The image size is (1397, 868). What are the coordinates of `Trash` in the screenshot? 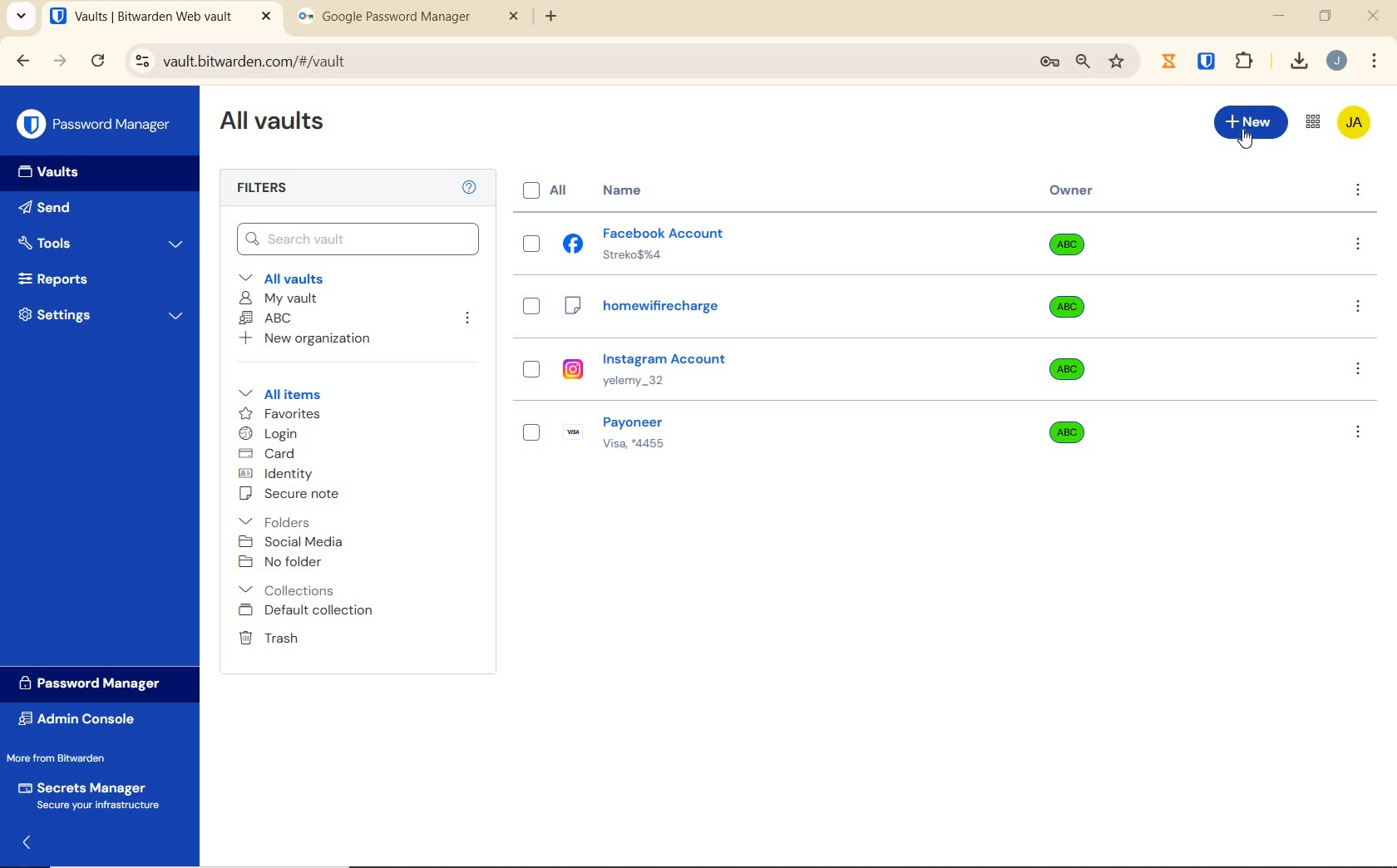 It's located at (265, 637).